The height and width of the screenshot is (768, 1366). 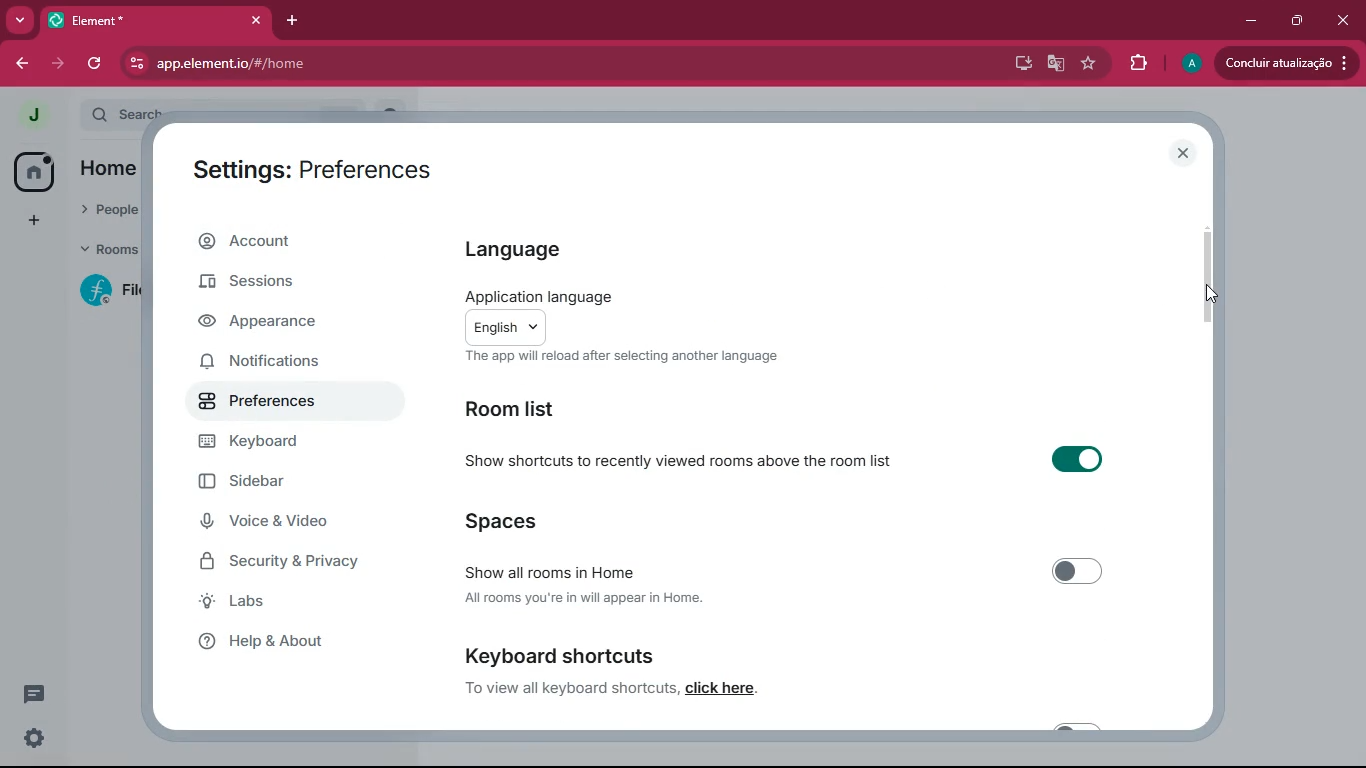 What do you see at coordinates (1247, 19) in the screenshot?
I see `minimize` at bounding box center [1247, 19].